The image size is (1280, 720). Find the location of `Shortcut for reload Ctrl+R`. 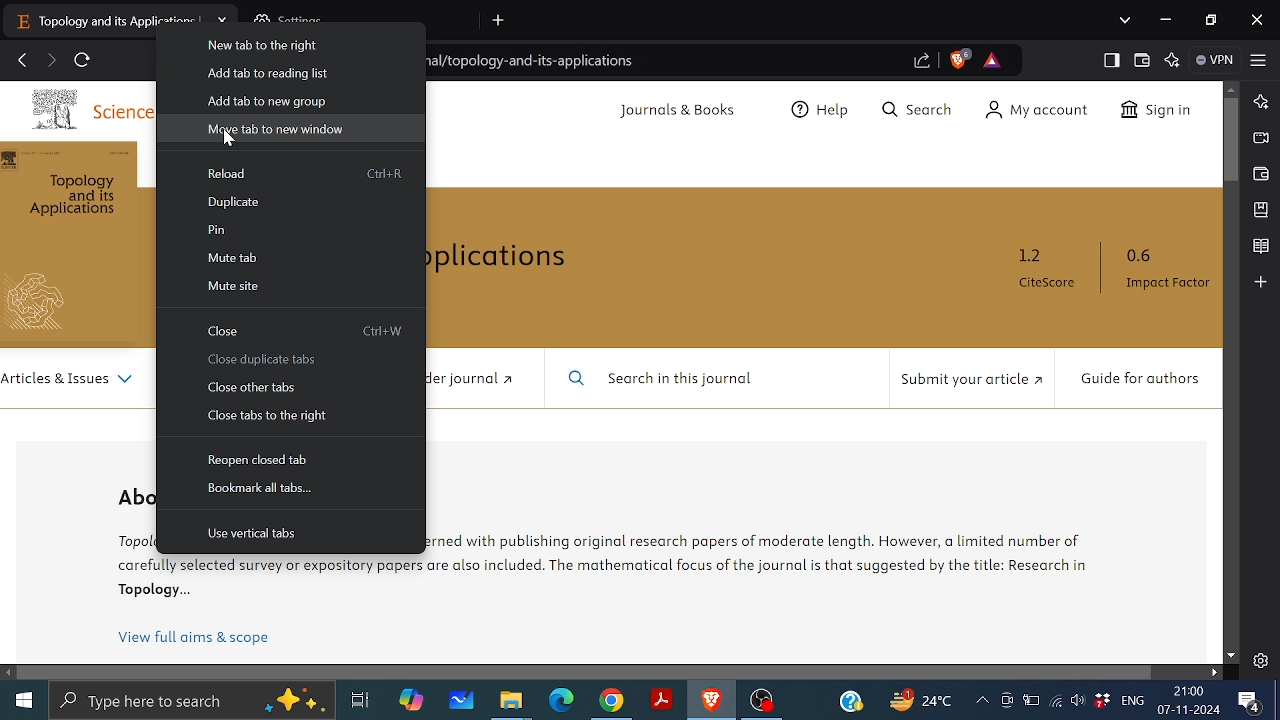

Shortcut for reload Ctrl+R is located at coordinates (386, 172).